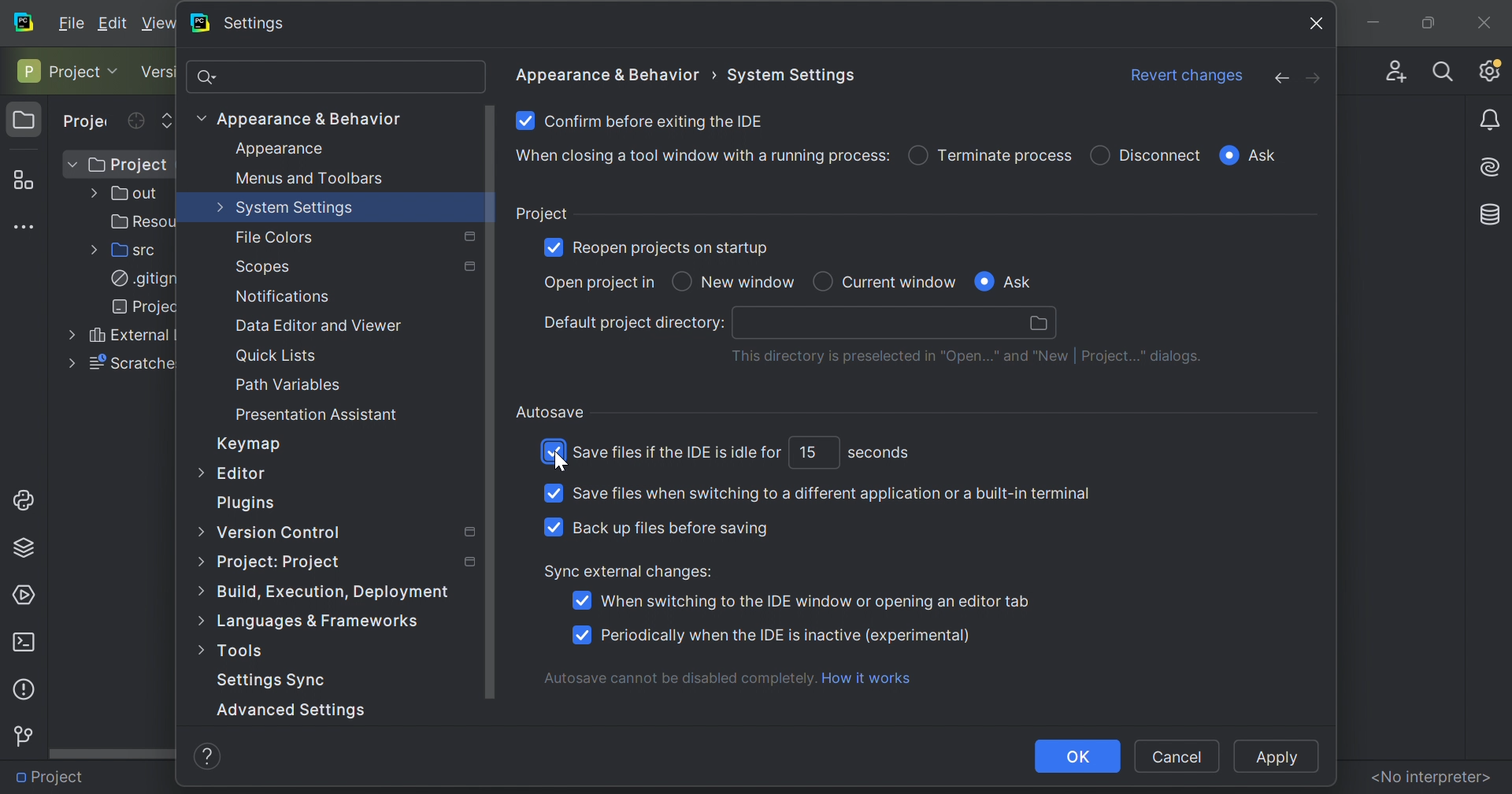  Describe the element at coordinates (1425, 22) in the screenshot. I see `Restore Down` at that location.